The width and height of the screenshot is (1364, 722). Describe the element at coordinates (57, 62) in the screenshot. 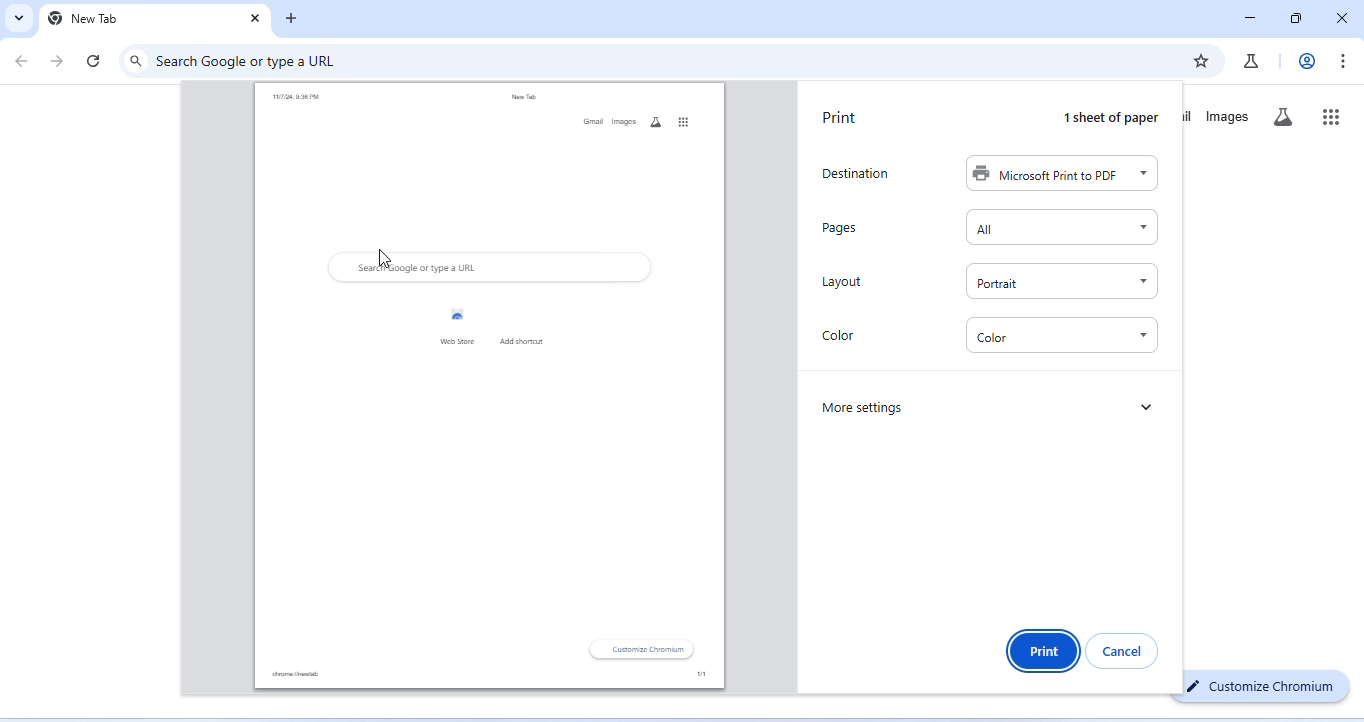

I see `go forward` at that location.